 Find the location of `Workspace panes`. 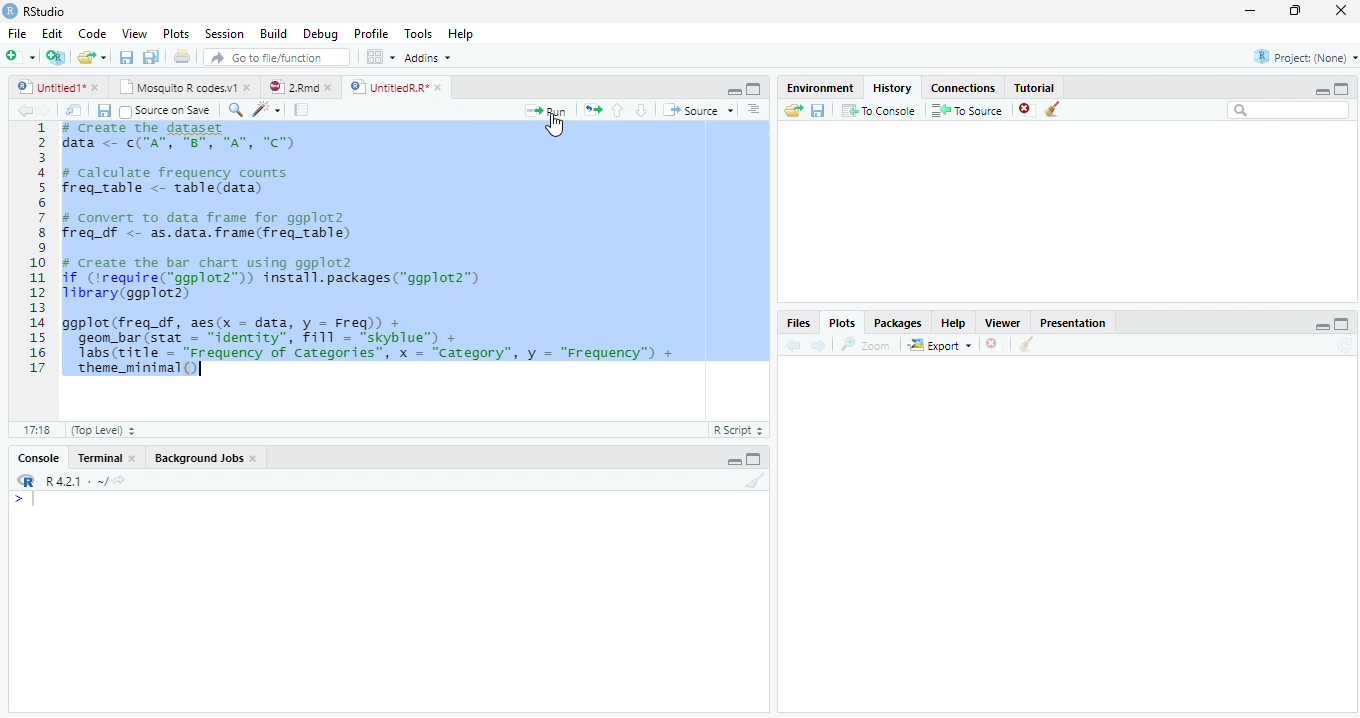

Workspace panes is located at coordinates (378, 57).